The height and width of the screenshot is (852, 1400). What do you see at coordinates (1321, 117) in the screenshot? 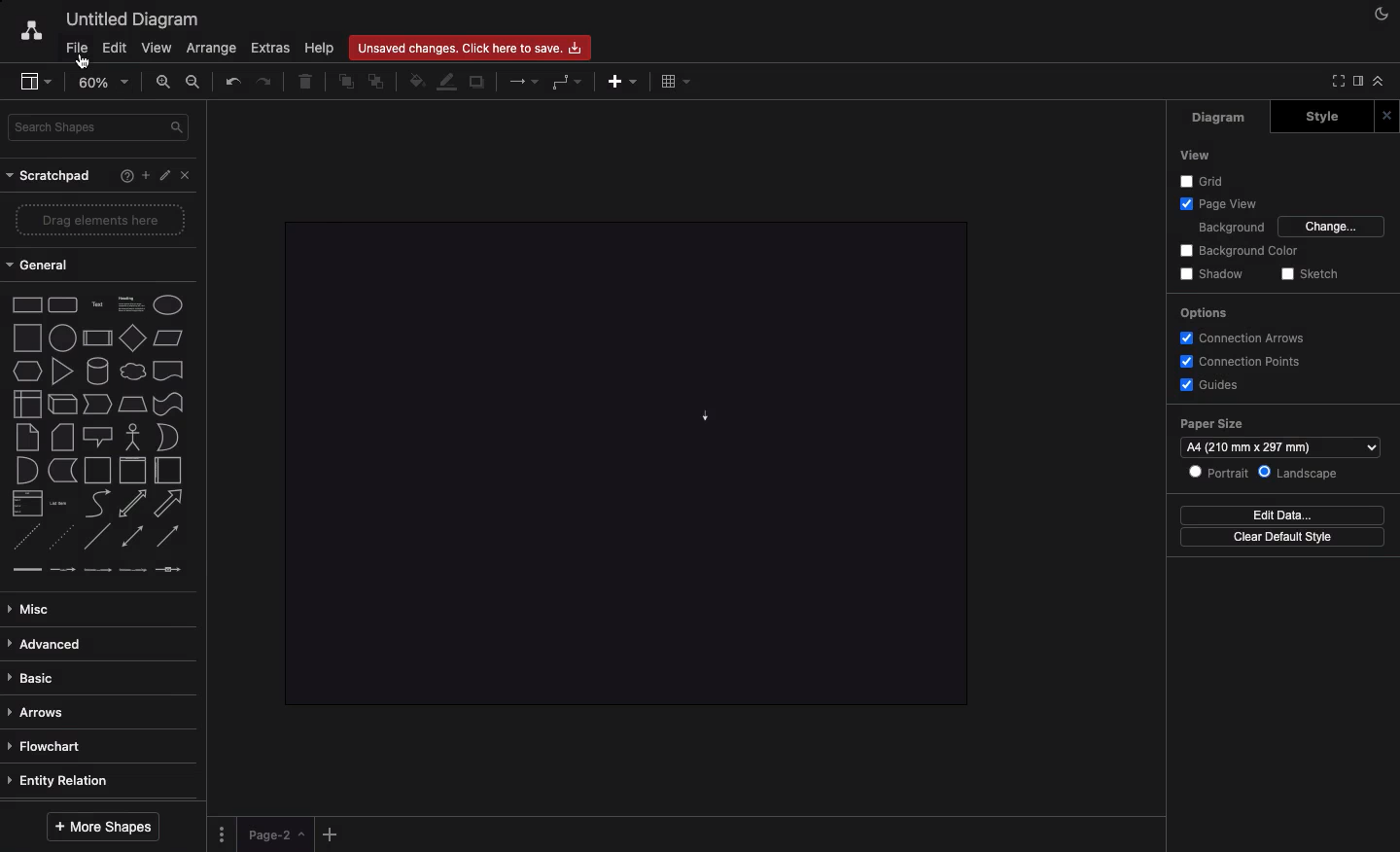
I see `Style` at bounding box center [1321, 117].